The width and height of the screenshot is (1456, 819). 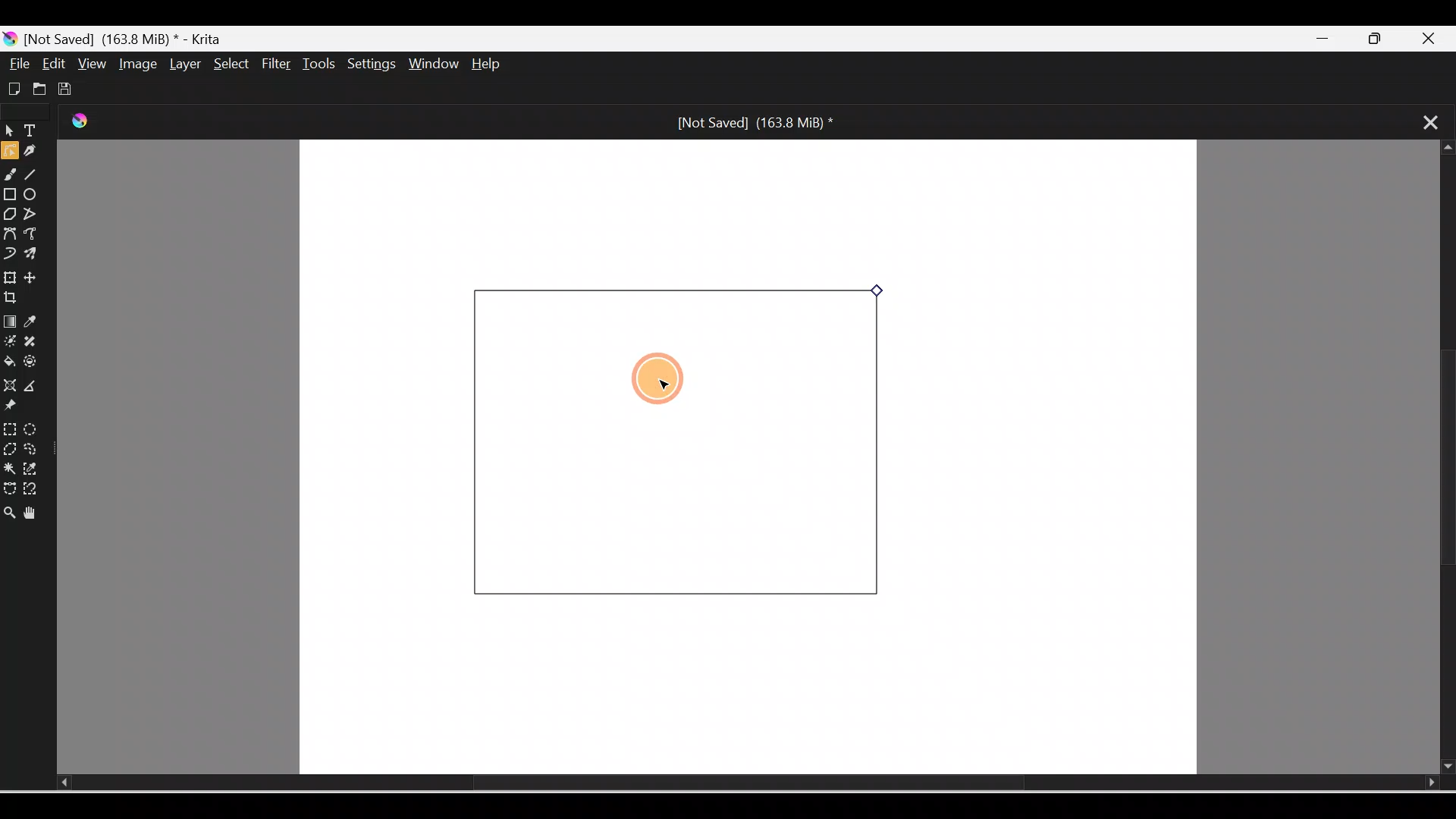 What do you see at coordinates (35, 235) in the screenshot?
I see `Freehand path tool` at bounding box center [35, 235].